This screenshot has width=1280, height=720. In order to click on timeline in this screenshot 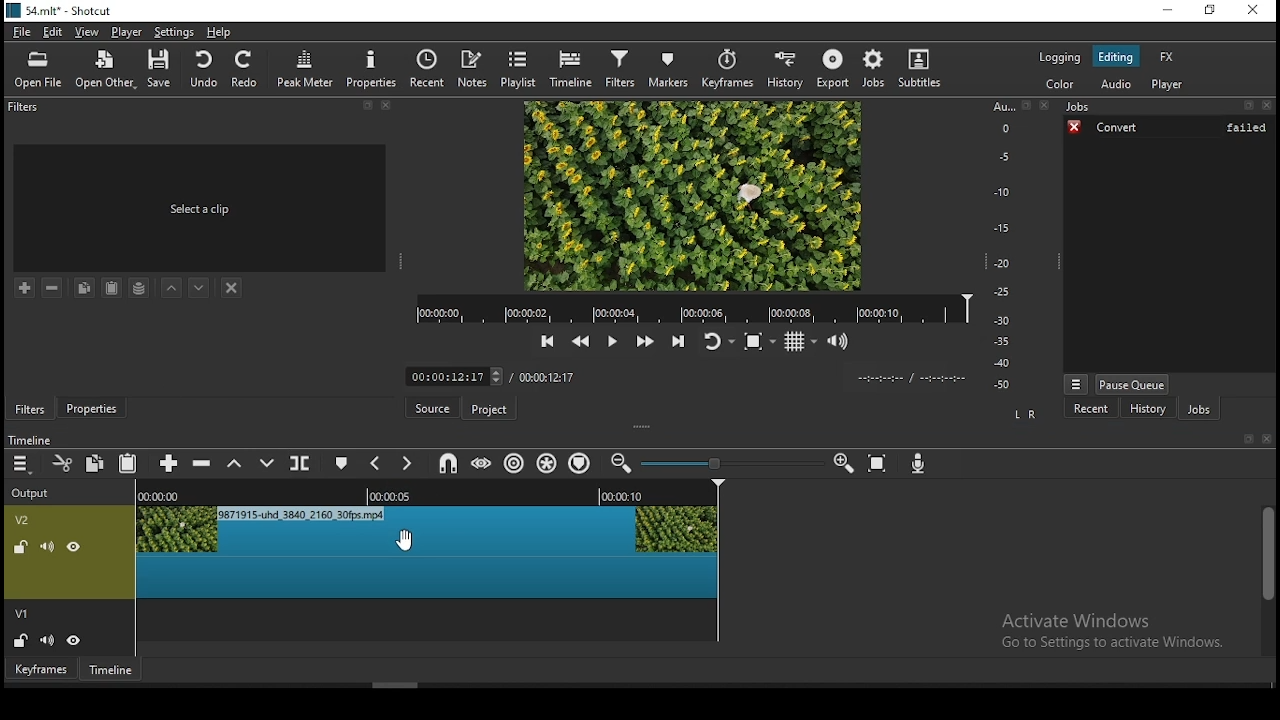, I will do `click(111, 668)`.